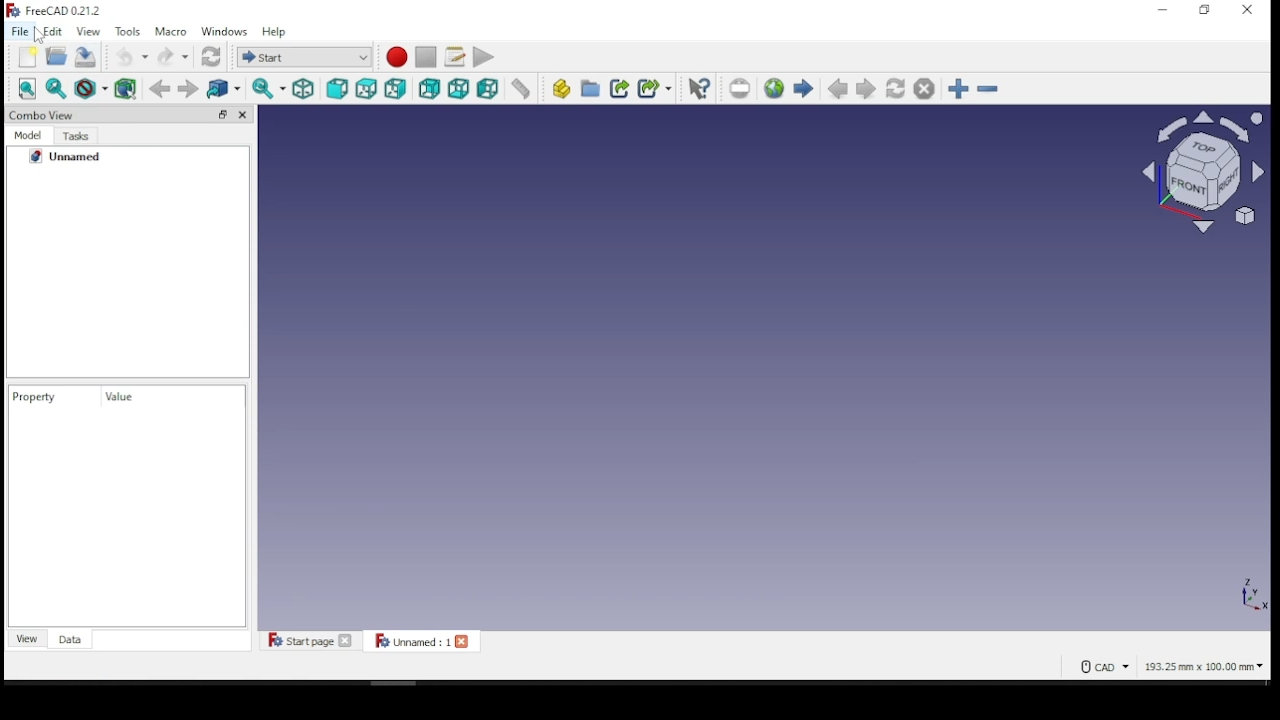 This screenshot has width=1280, height=720. I want to click on close, so click(1248, 10).